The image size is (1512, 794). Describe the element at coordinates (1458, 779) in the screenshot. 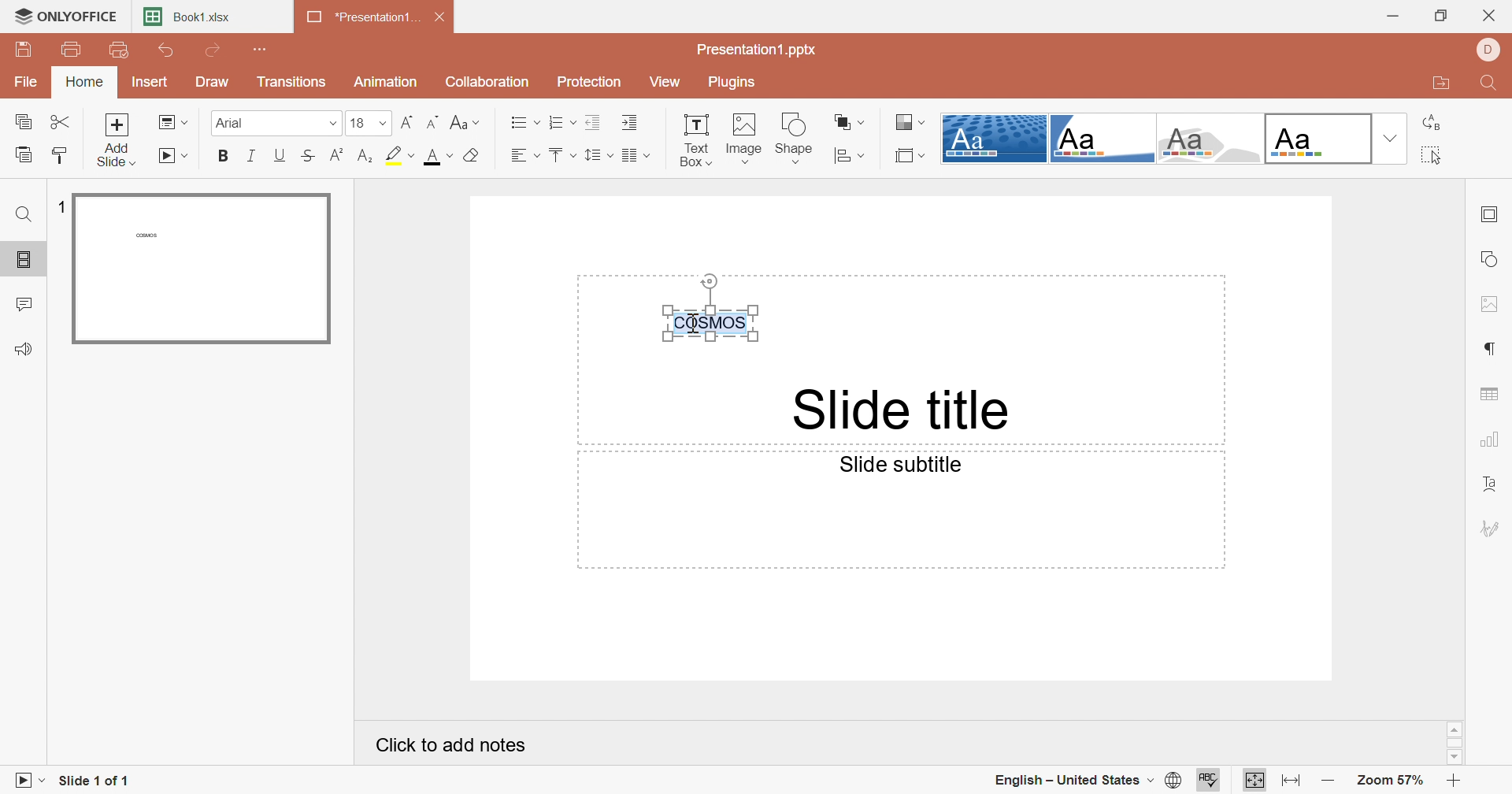

I see `Zoom in` at that location.